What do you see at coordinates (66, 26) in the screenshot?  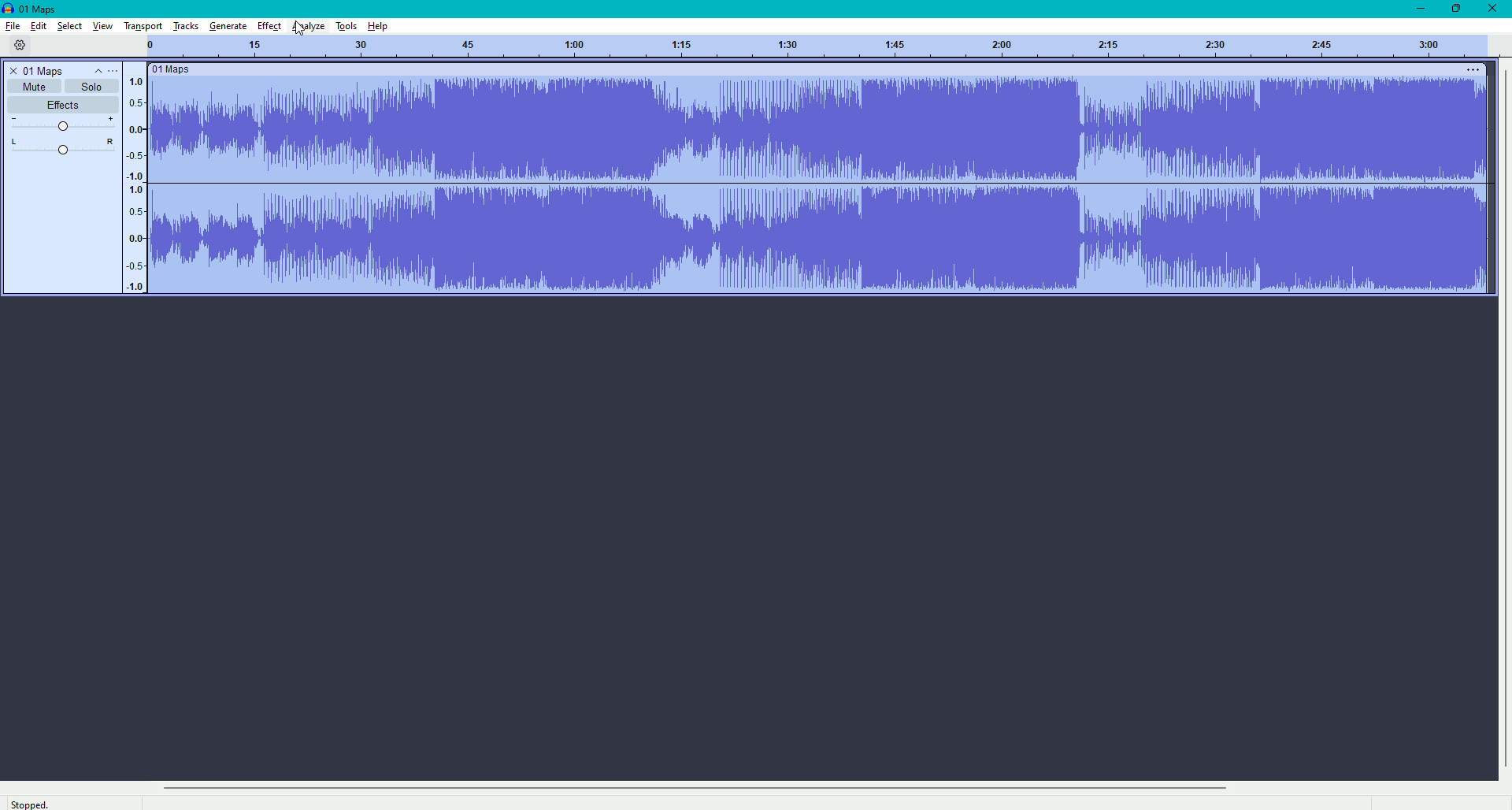 I see `Select` at bounding box center [66, 26].